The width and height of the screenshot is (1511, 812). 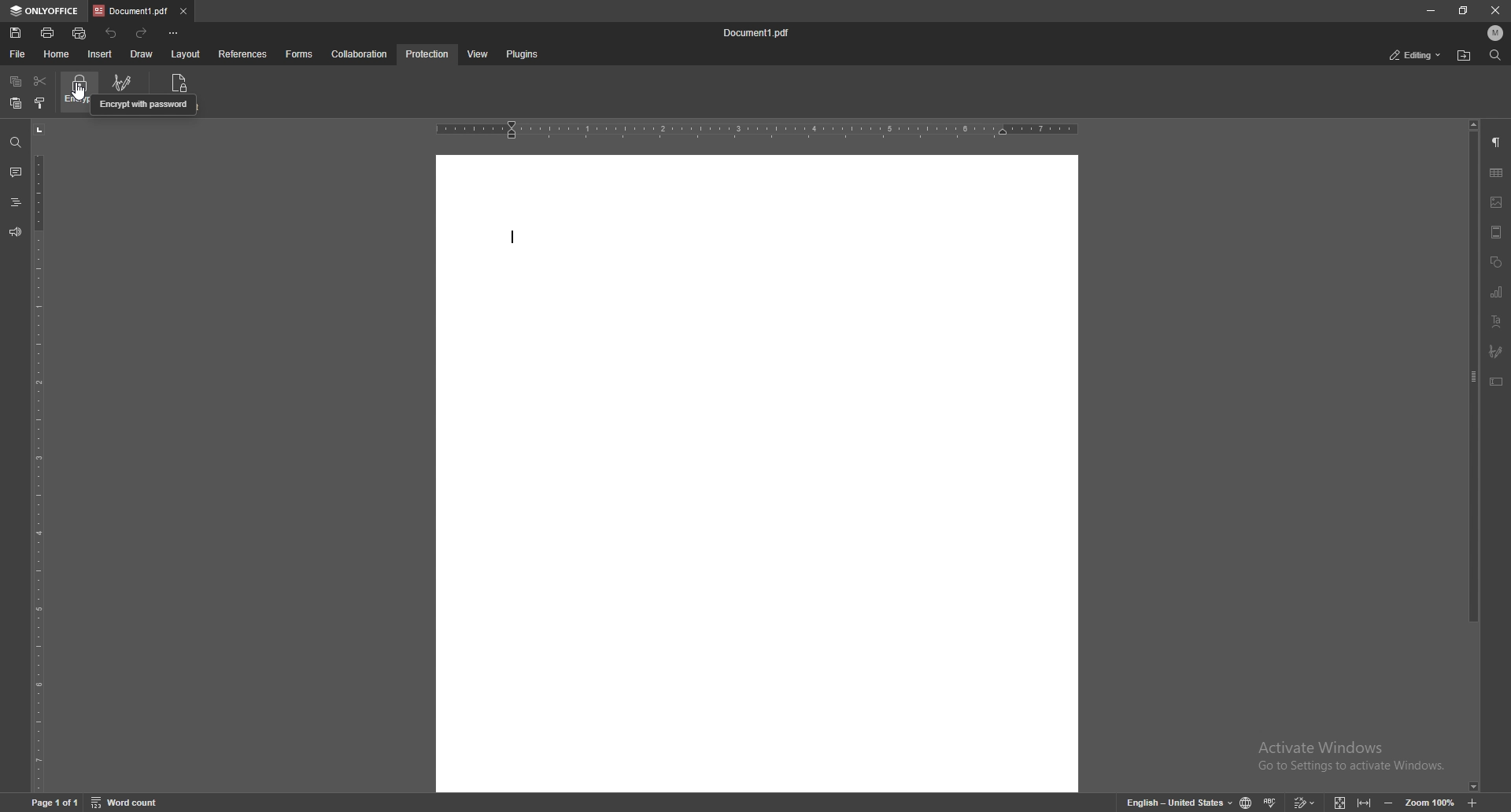 What do you see at coordinates (127, 802) in the screenshot?
I see `word count` at bounding box center [127, 802].